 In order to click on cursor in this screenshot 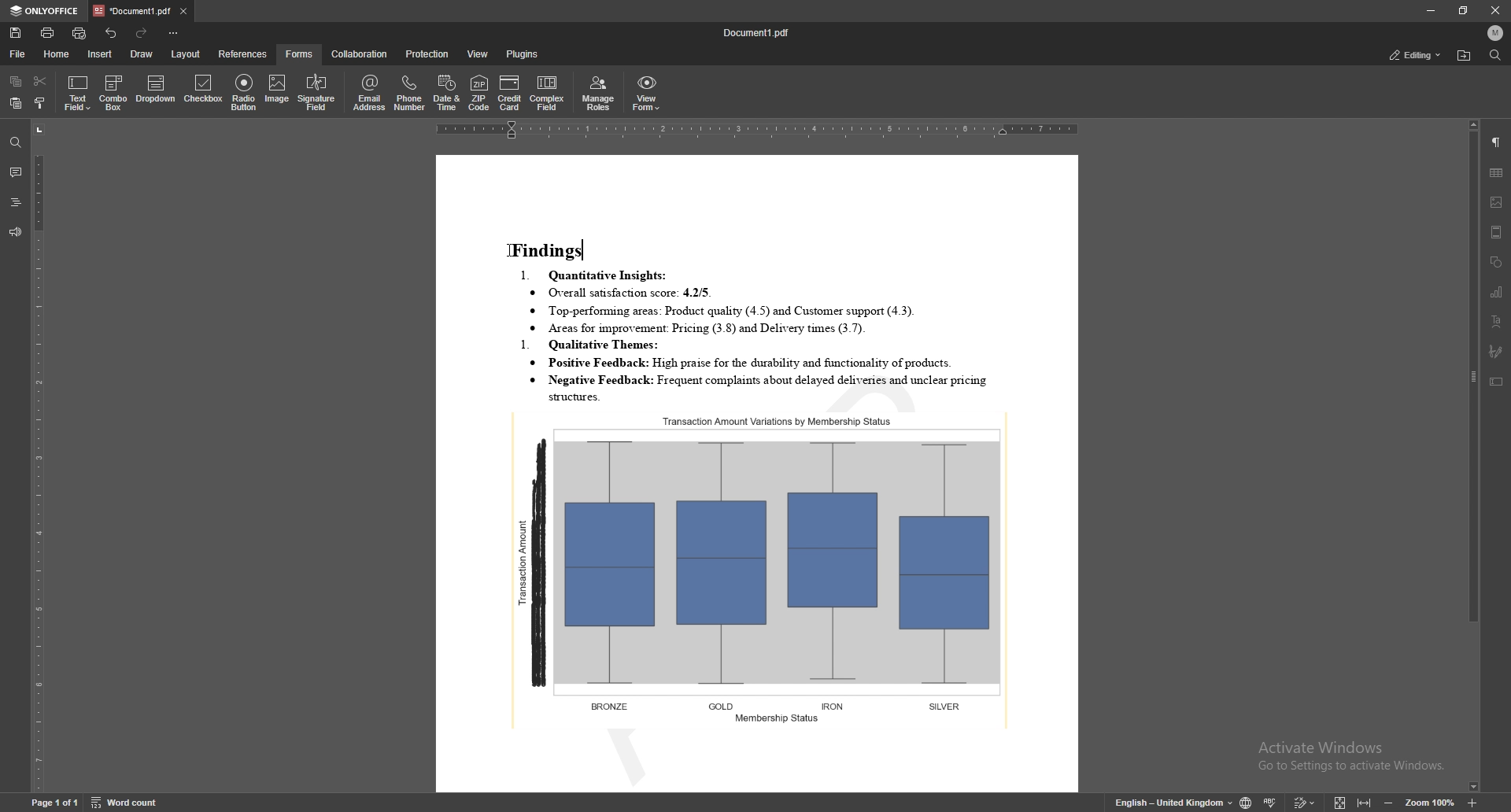, I will do `click(511, 250)`.